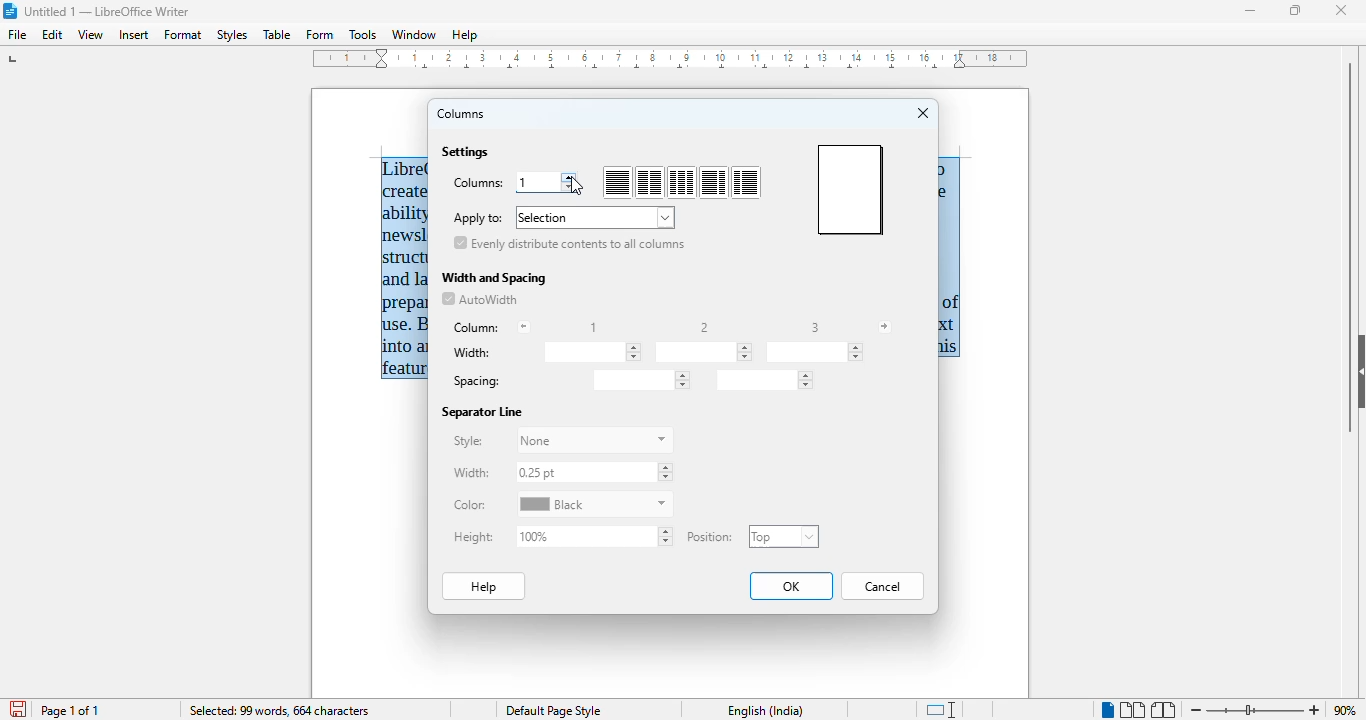  What do you see at coordinates (465, 35) in the screenshot?
I see `help` at bounding box center [465, 35].